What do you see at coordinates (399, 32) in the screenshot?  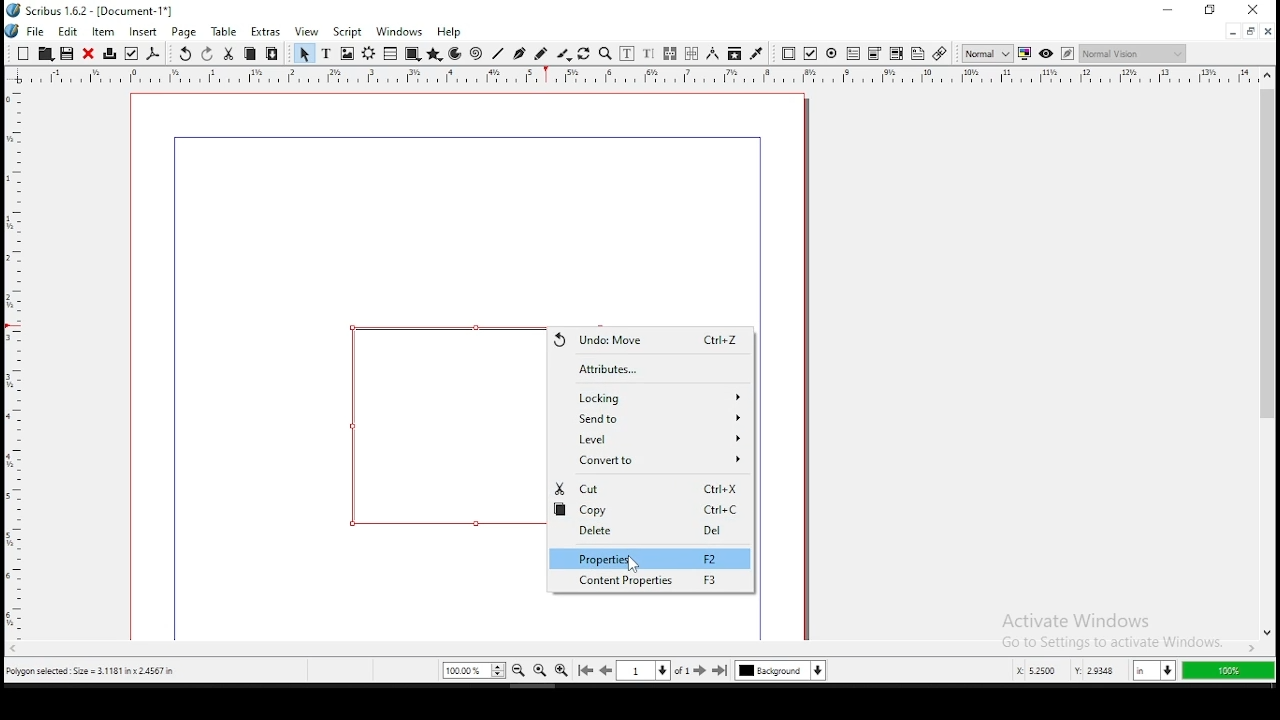 I see `windows` at bounding box center [399, 32].